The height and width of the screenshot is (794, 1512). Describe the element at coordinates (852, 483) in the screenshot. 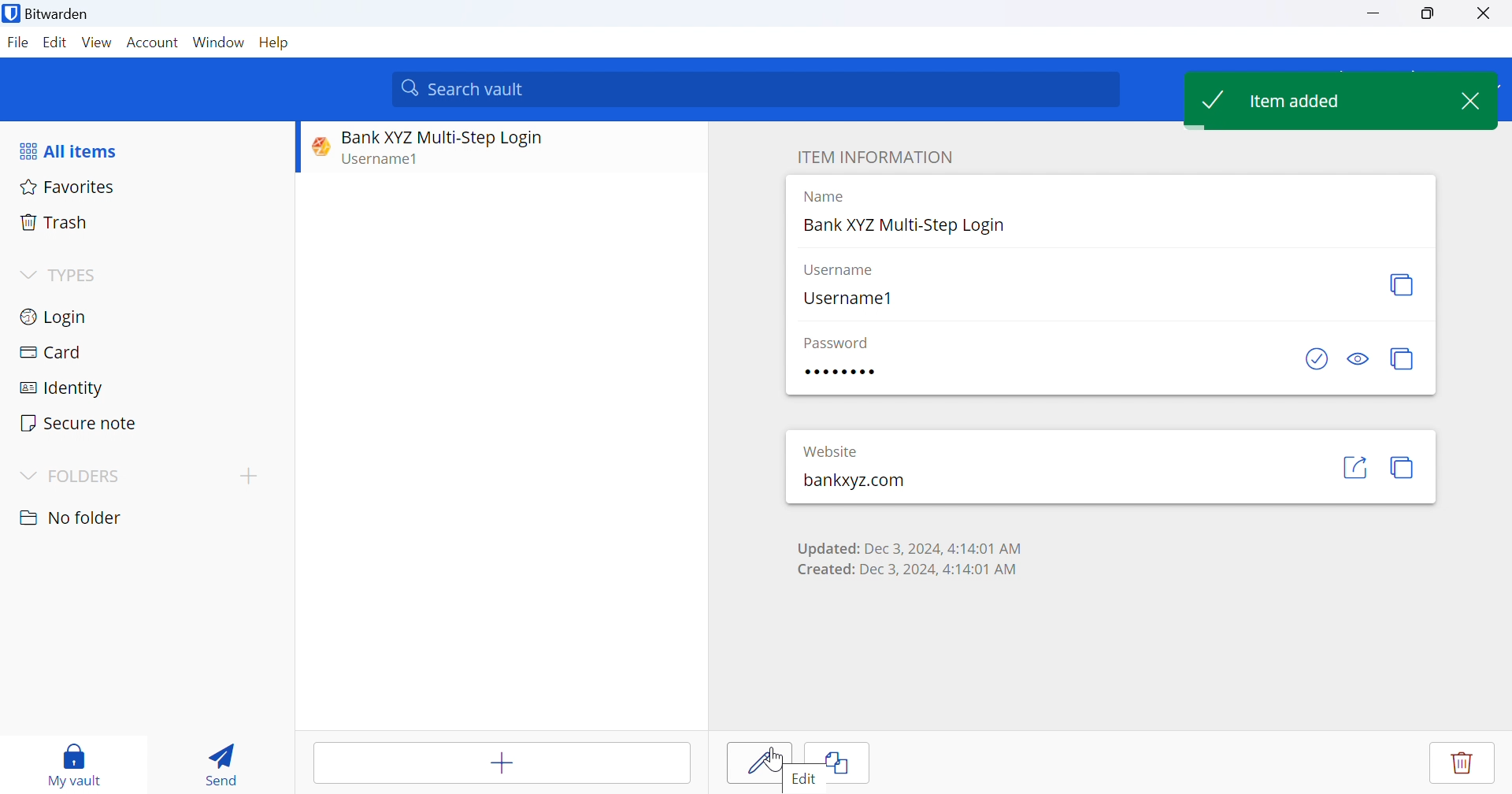

I see `bankxyz.com` at that location.